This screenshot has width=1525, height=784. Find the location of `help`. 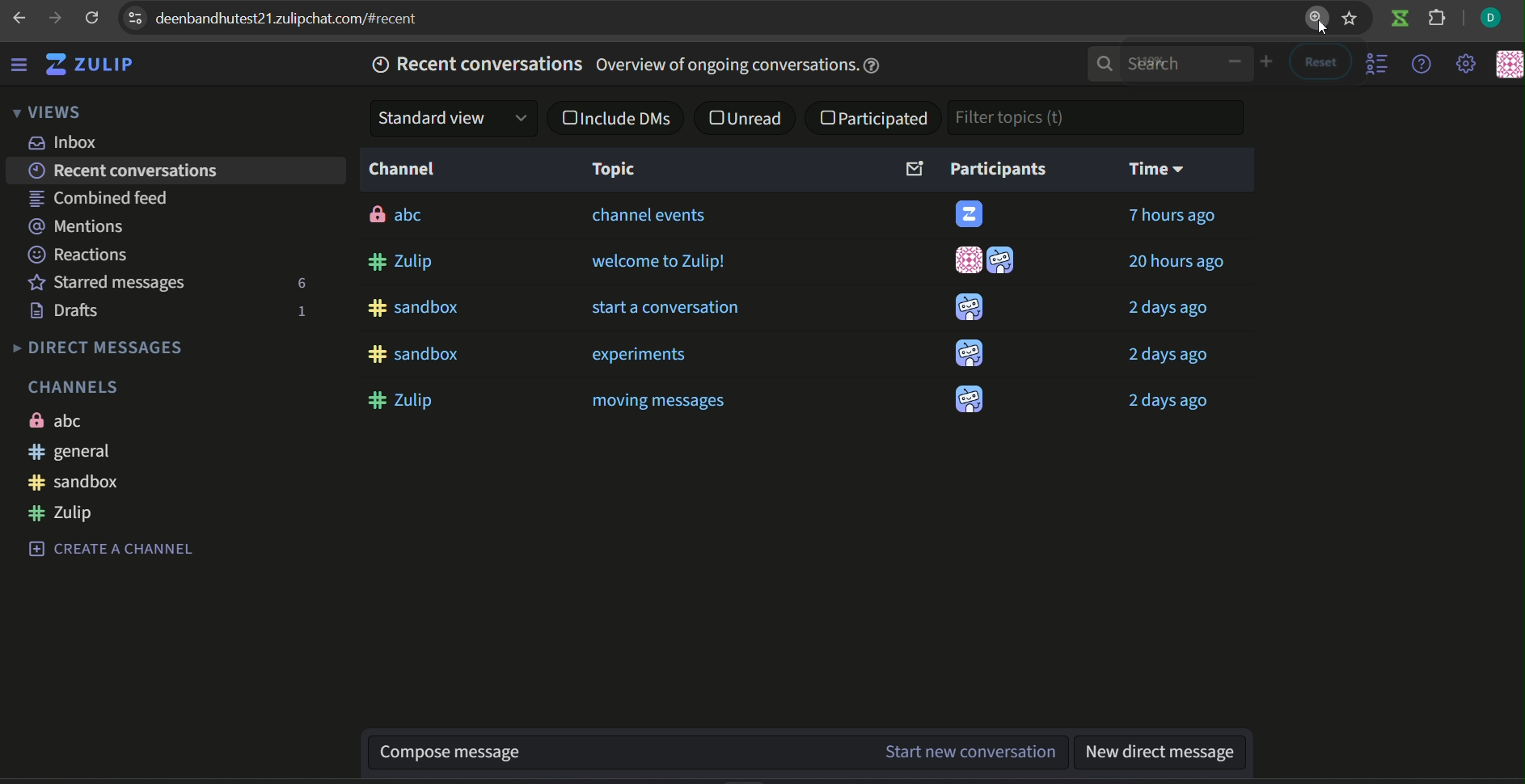

help is located at coordinates (1422, 65).